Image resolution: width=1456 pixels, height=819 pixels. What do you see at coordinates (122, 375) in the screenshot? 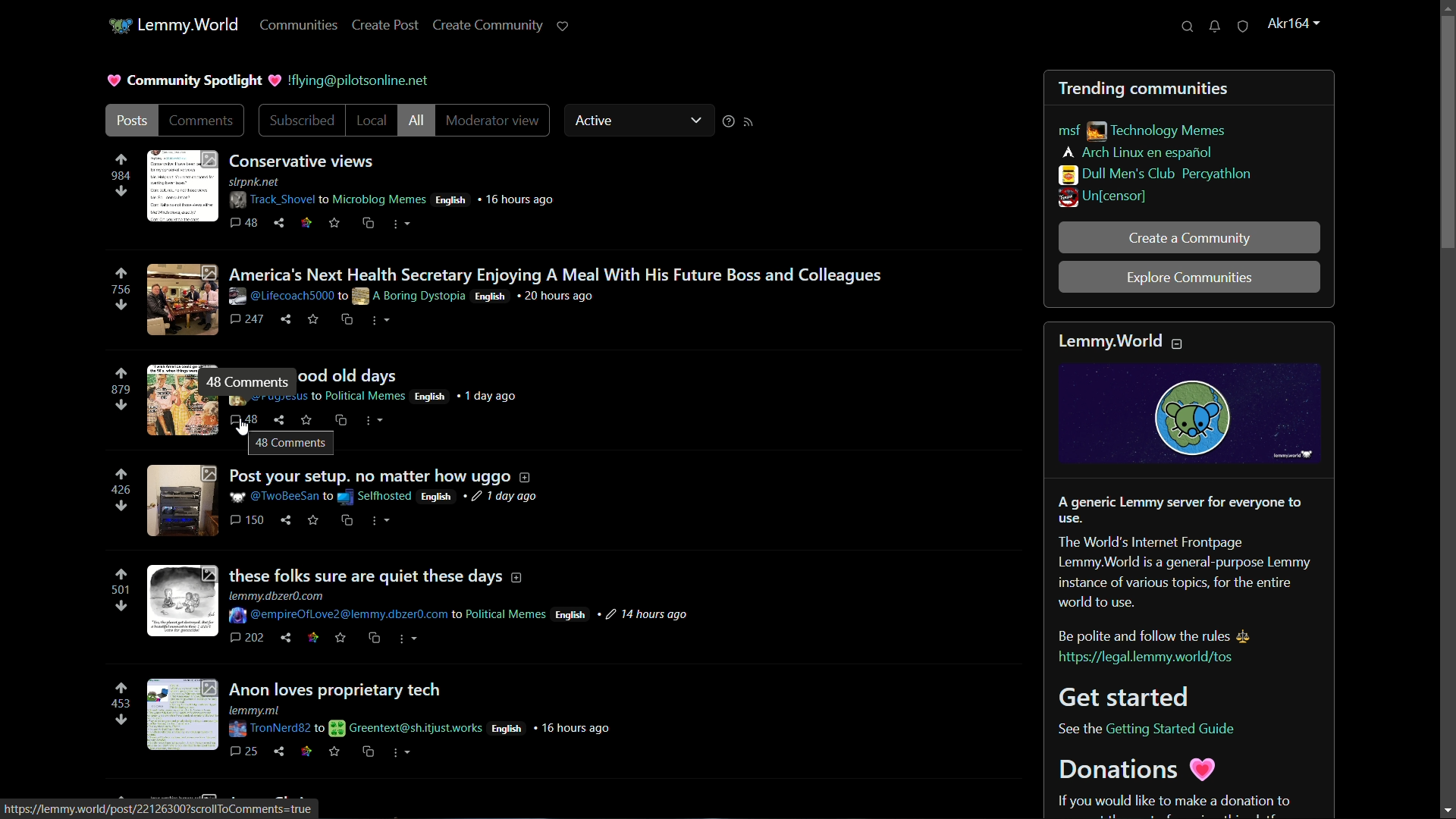
I see `upvote` at bounding box center [122, 375].